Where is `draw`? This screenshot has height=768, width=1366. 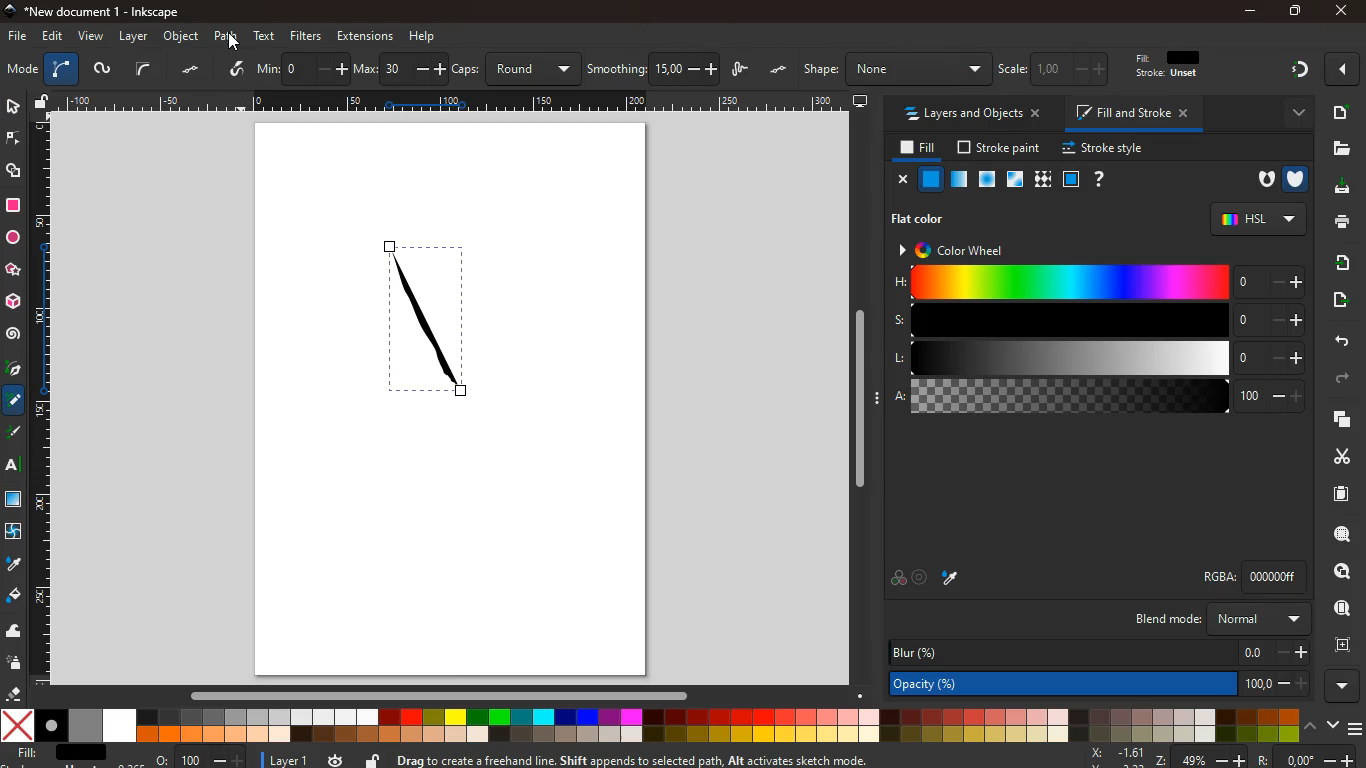
draw is located at coordinates (238, 70).